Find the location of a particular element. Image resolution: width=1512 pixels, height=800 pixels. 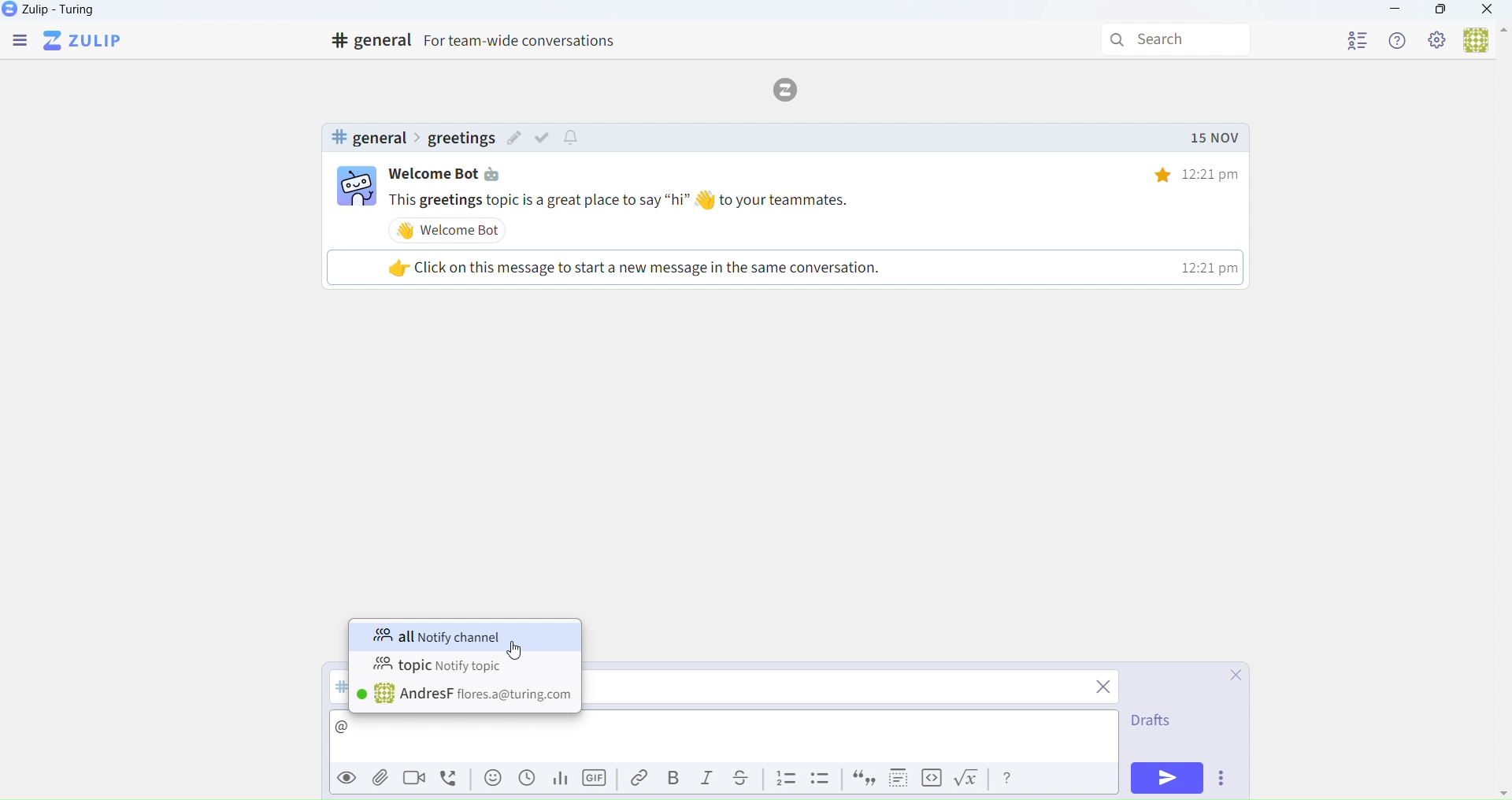

Close is located at coordinates (1228, 676).